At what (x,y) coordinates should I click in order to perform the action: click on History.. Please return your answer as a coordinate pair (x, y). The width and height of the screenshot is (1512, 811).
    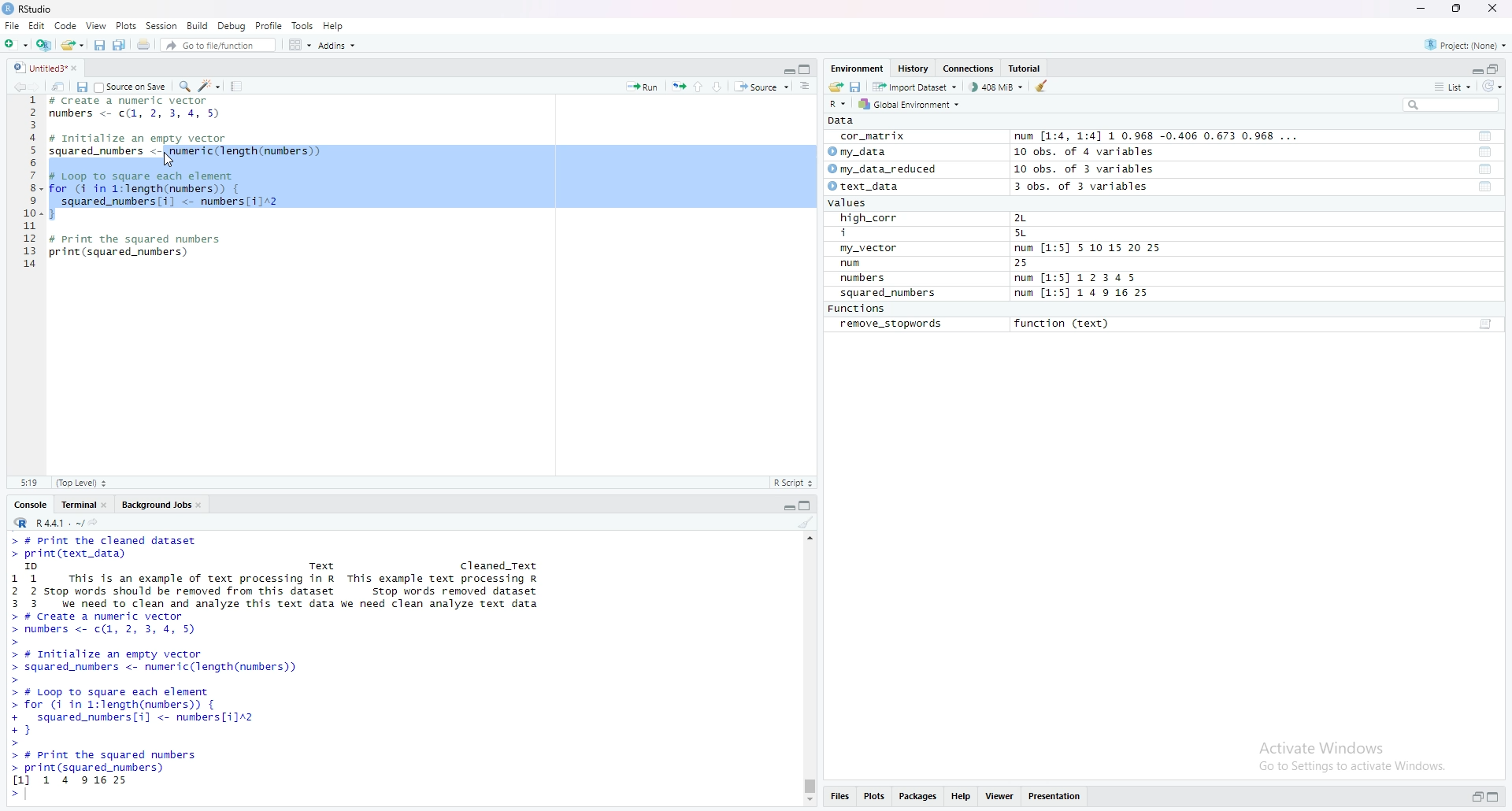
    Looking at the image, I should click on (915, 68).